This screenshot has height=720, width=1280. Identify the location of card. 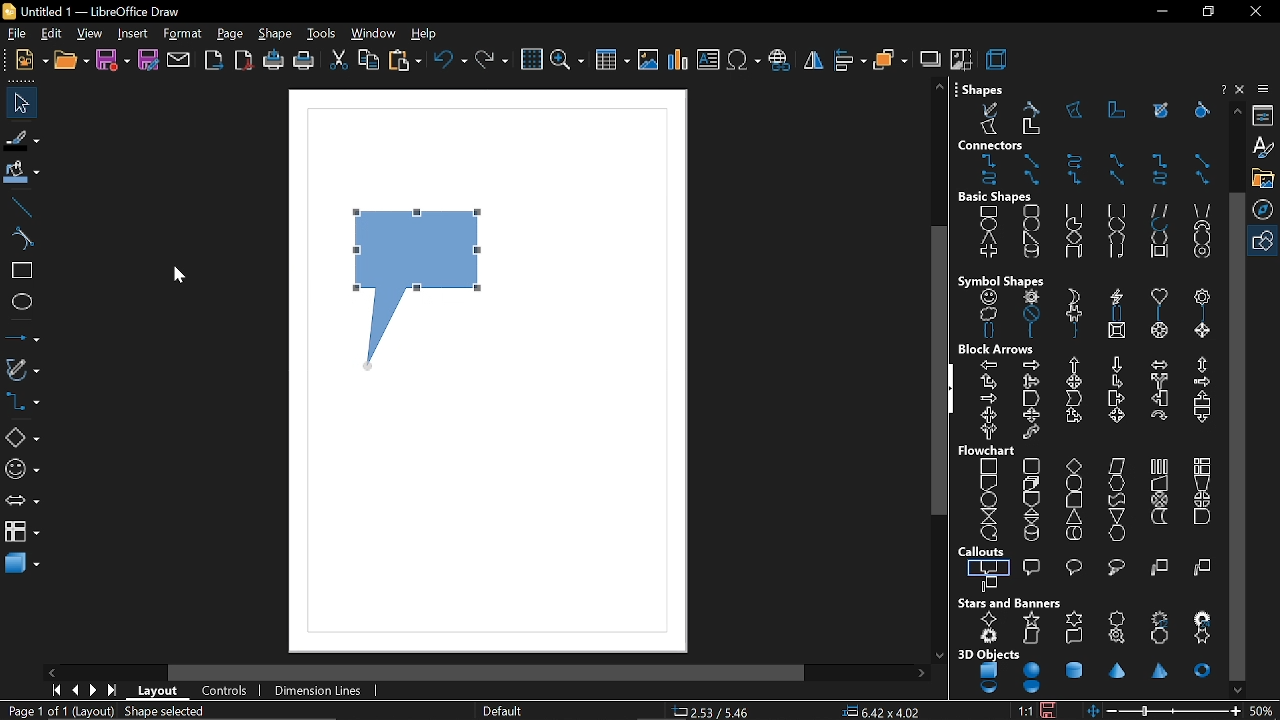
(1071, 500).